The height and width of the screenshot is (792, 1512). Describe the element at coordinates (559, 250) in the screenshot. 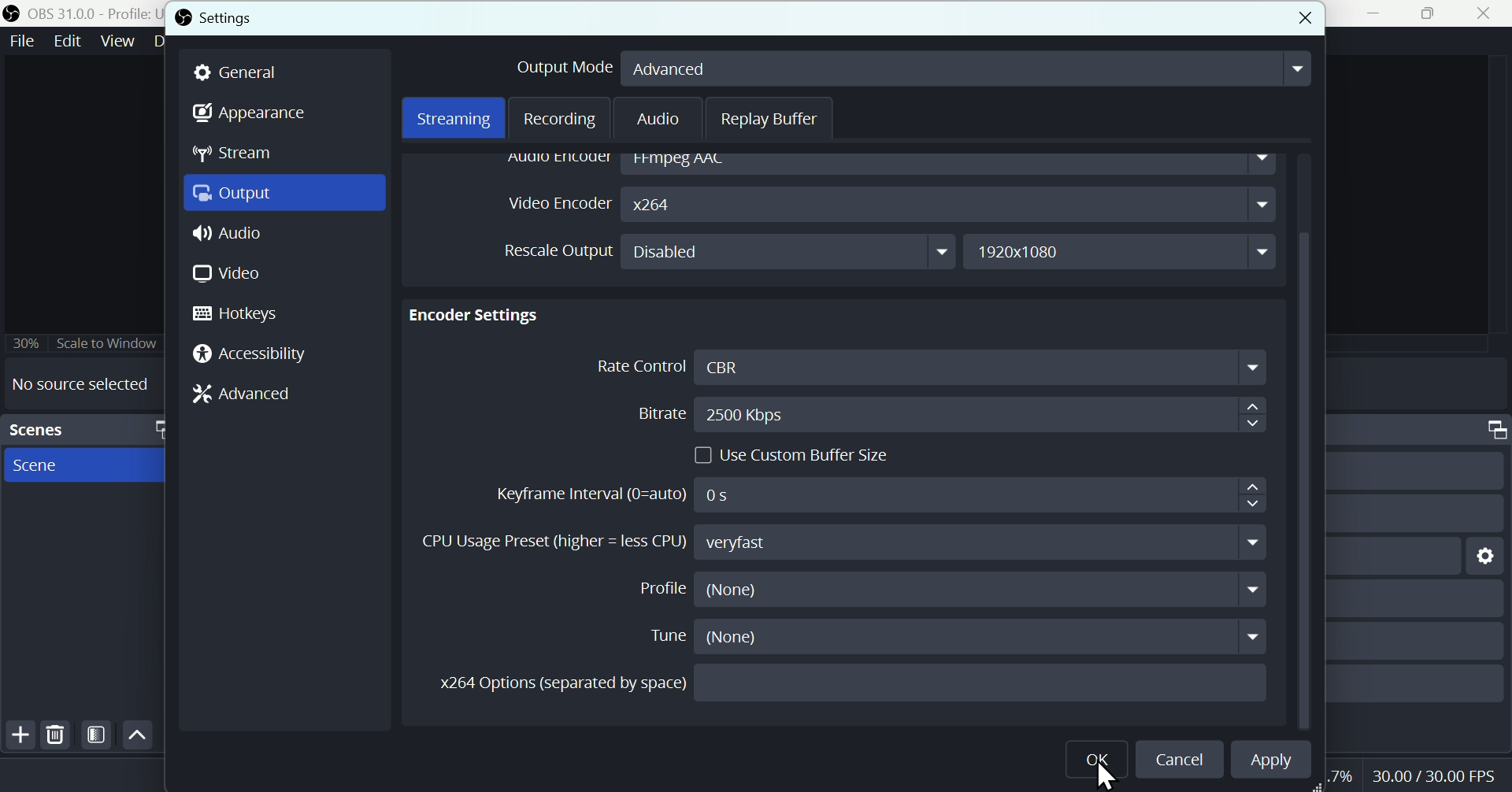

I see `Rescale Output` at that location.